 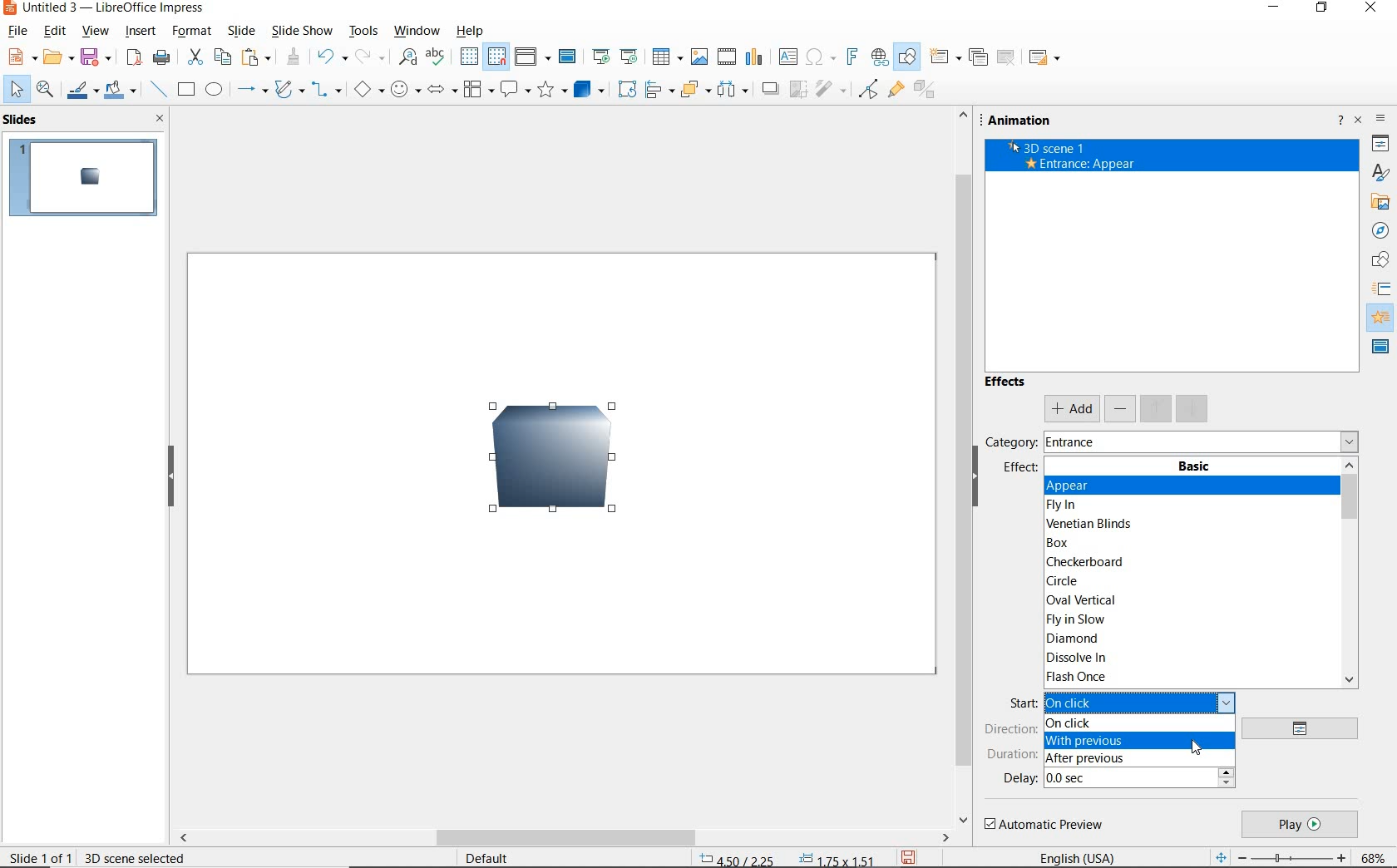 What do you see at coordinates (225, 56) in the screenshot?
I see `copy` at bounding box center [225, 56].